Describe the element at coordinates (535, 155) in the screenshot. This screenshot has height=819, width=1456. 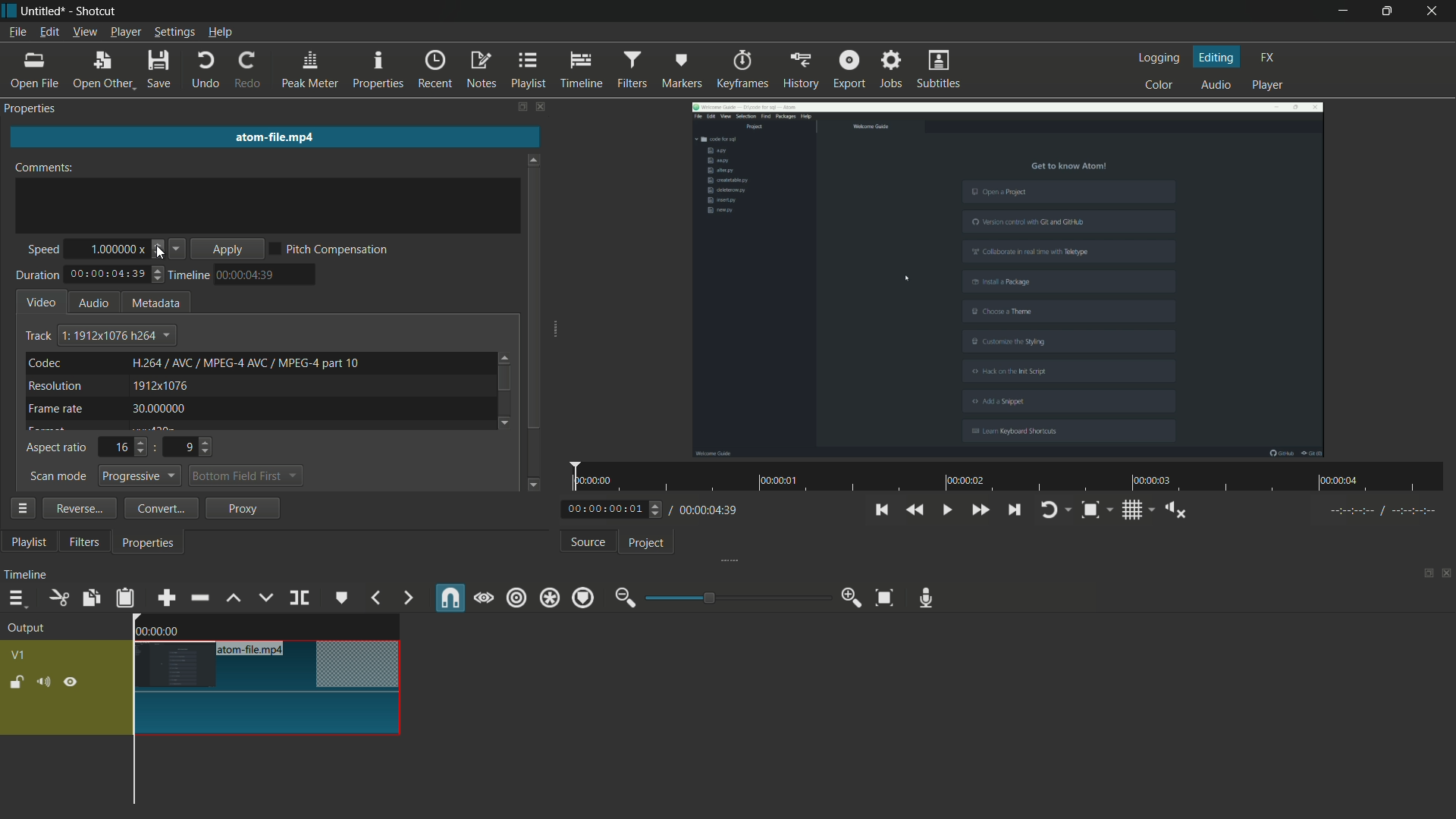
I see `go up` at that location.